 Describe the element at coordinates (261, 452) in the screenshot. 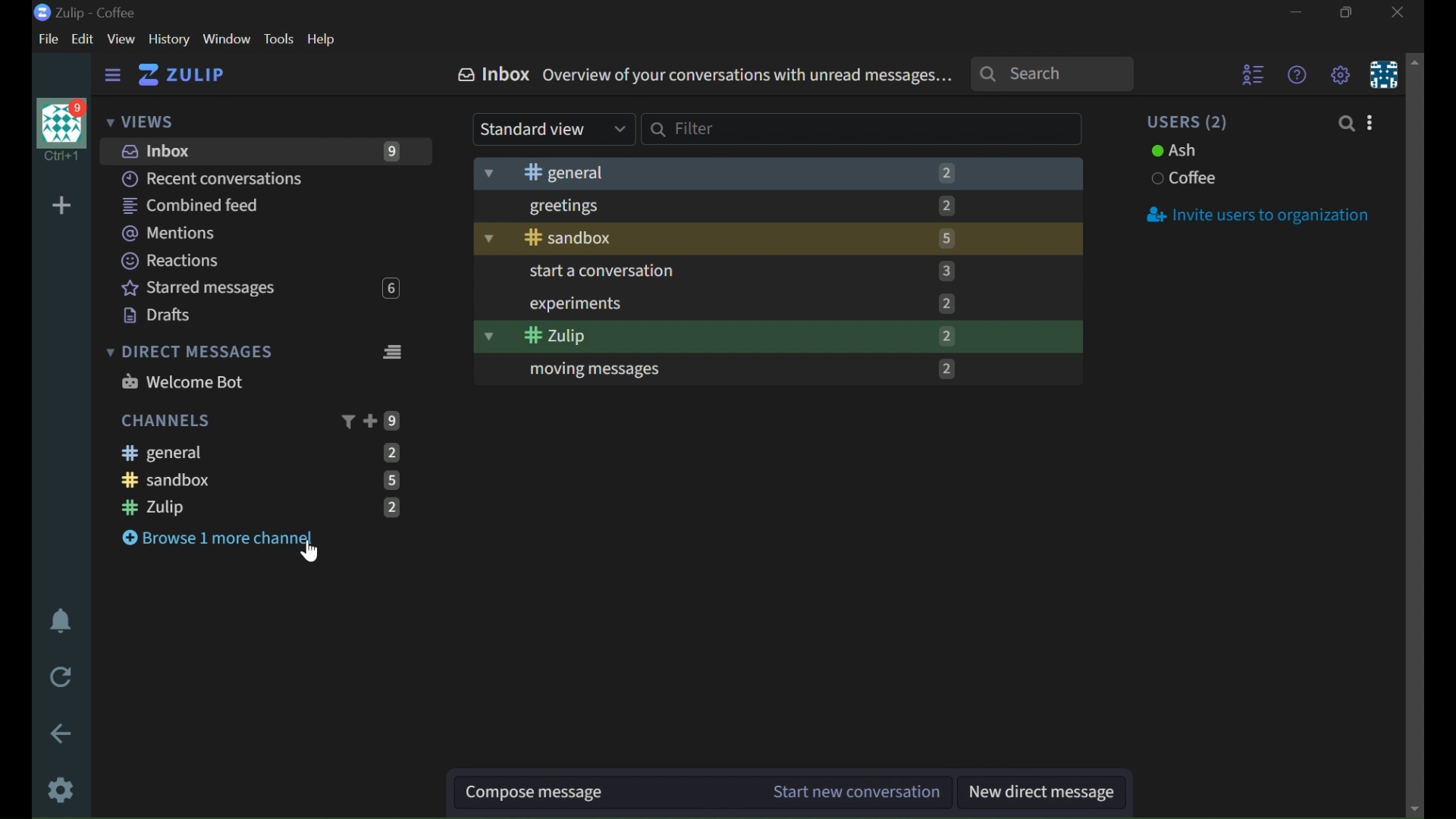

I see `GENERAL` at that location.